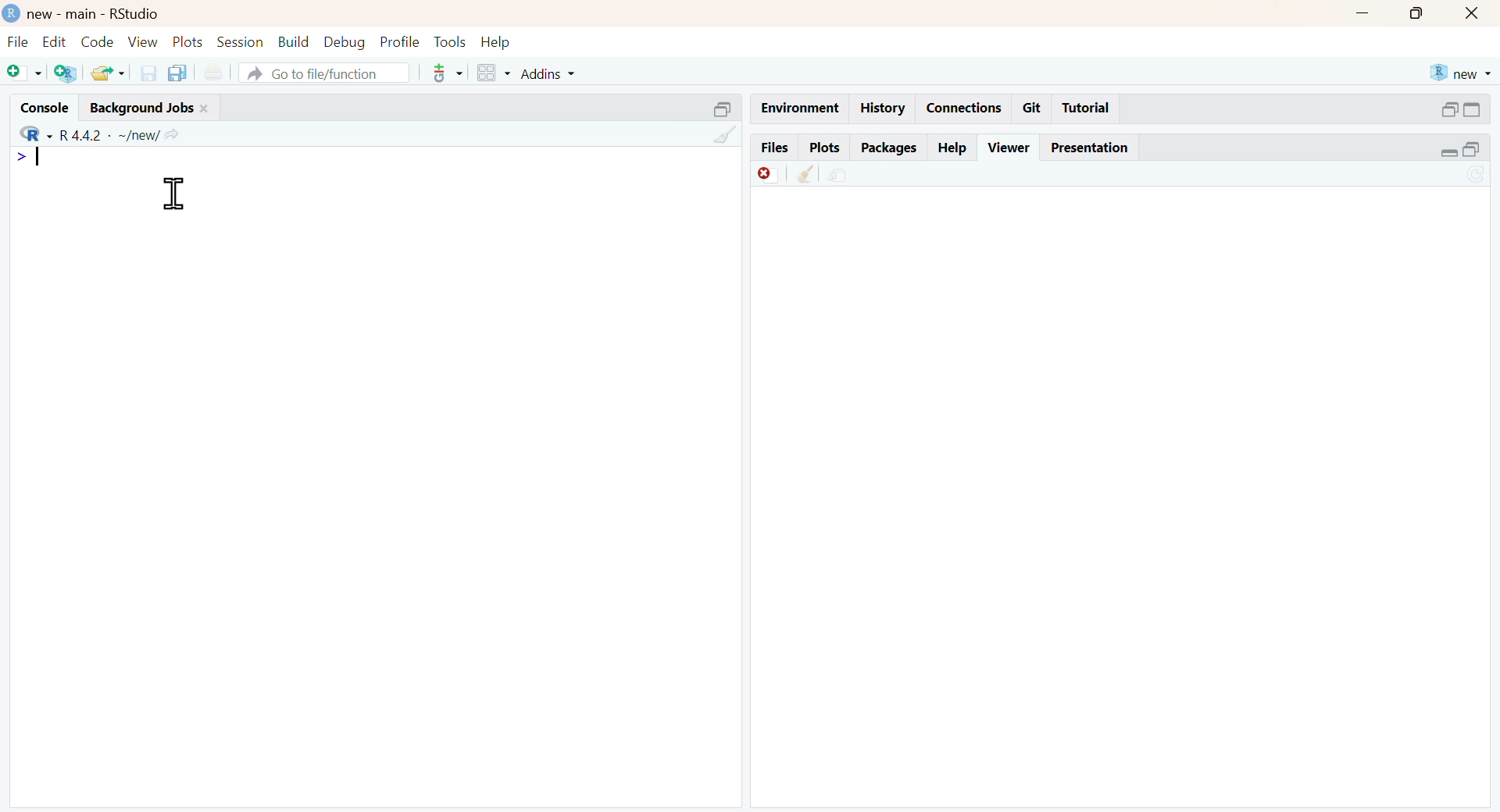  Describe the element at coordinates (1476, 175) in the screenshot. I see `sync` at that location.